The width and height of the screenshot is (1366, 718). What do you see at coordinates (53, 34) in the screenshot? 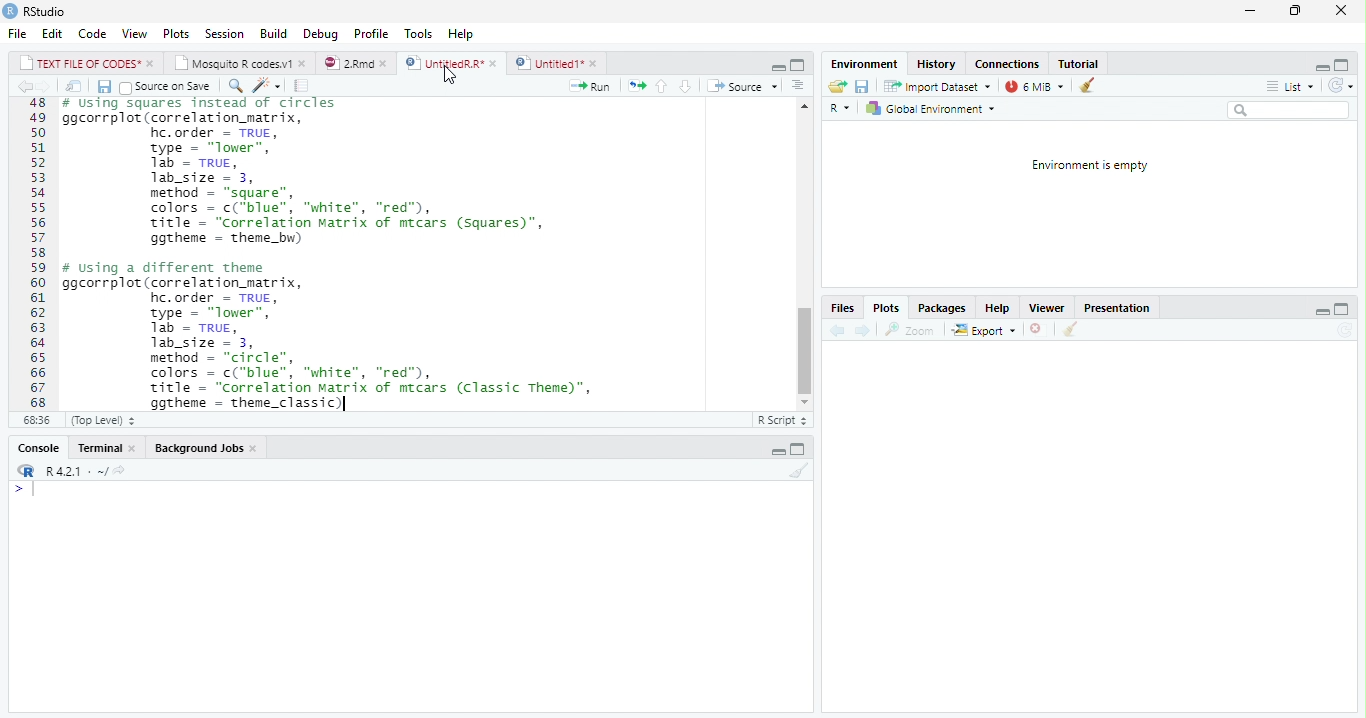
I see `Edit` at bounding box center [53, 34].